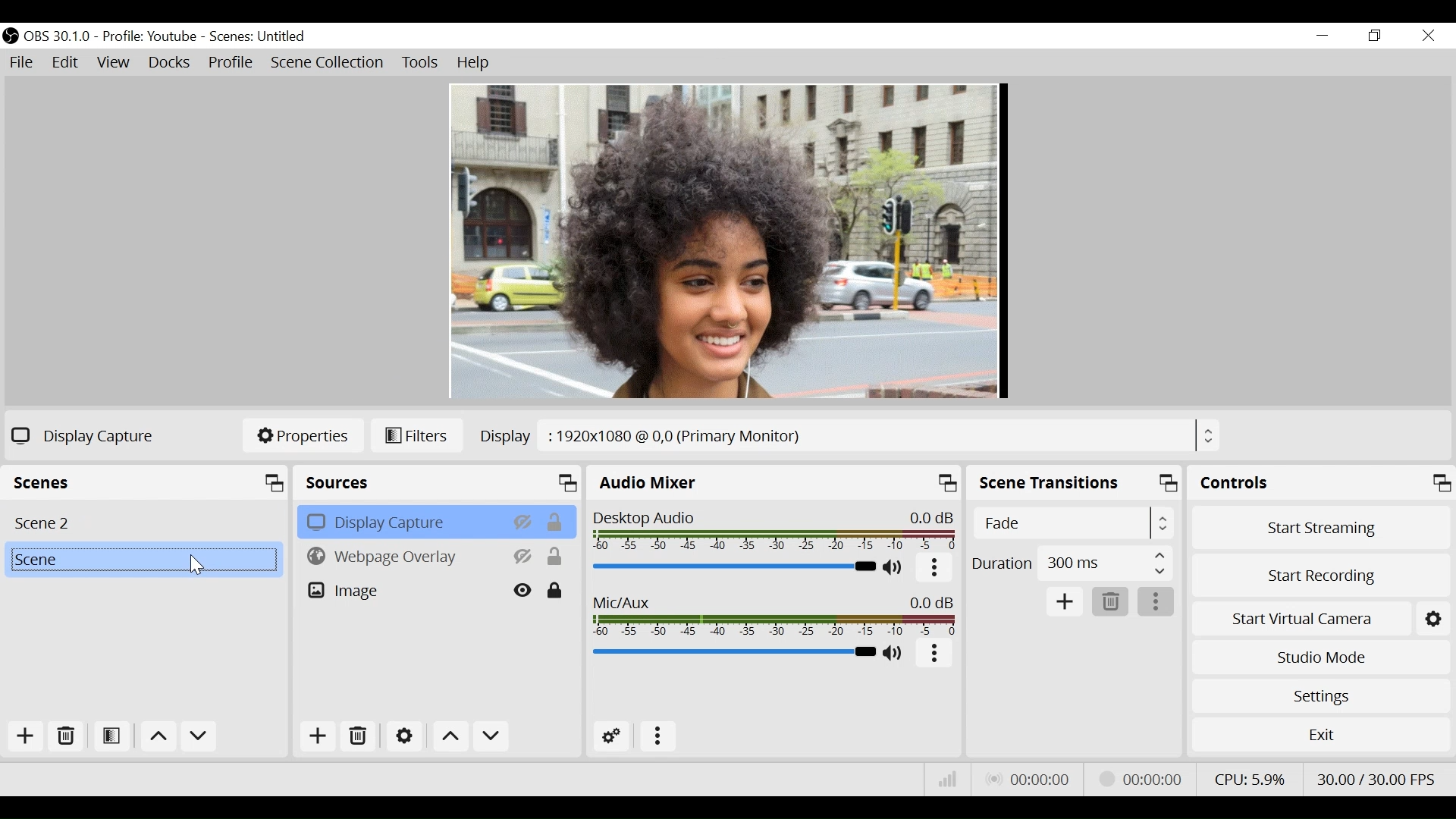  I want to click on OBS Studio Desktop Icon, so click(11, 37).